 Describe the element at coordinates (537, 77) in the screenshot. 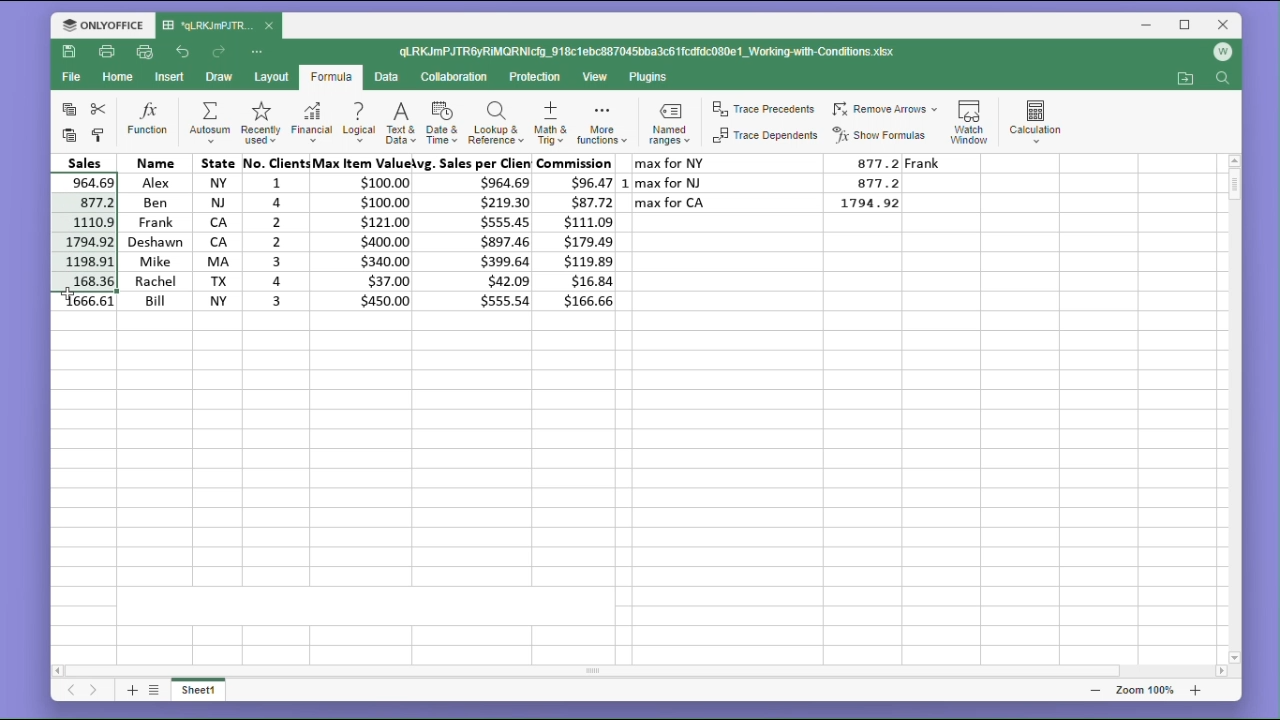

I see `protection` at that location.